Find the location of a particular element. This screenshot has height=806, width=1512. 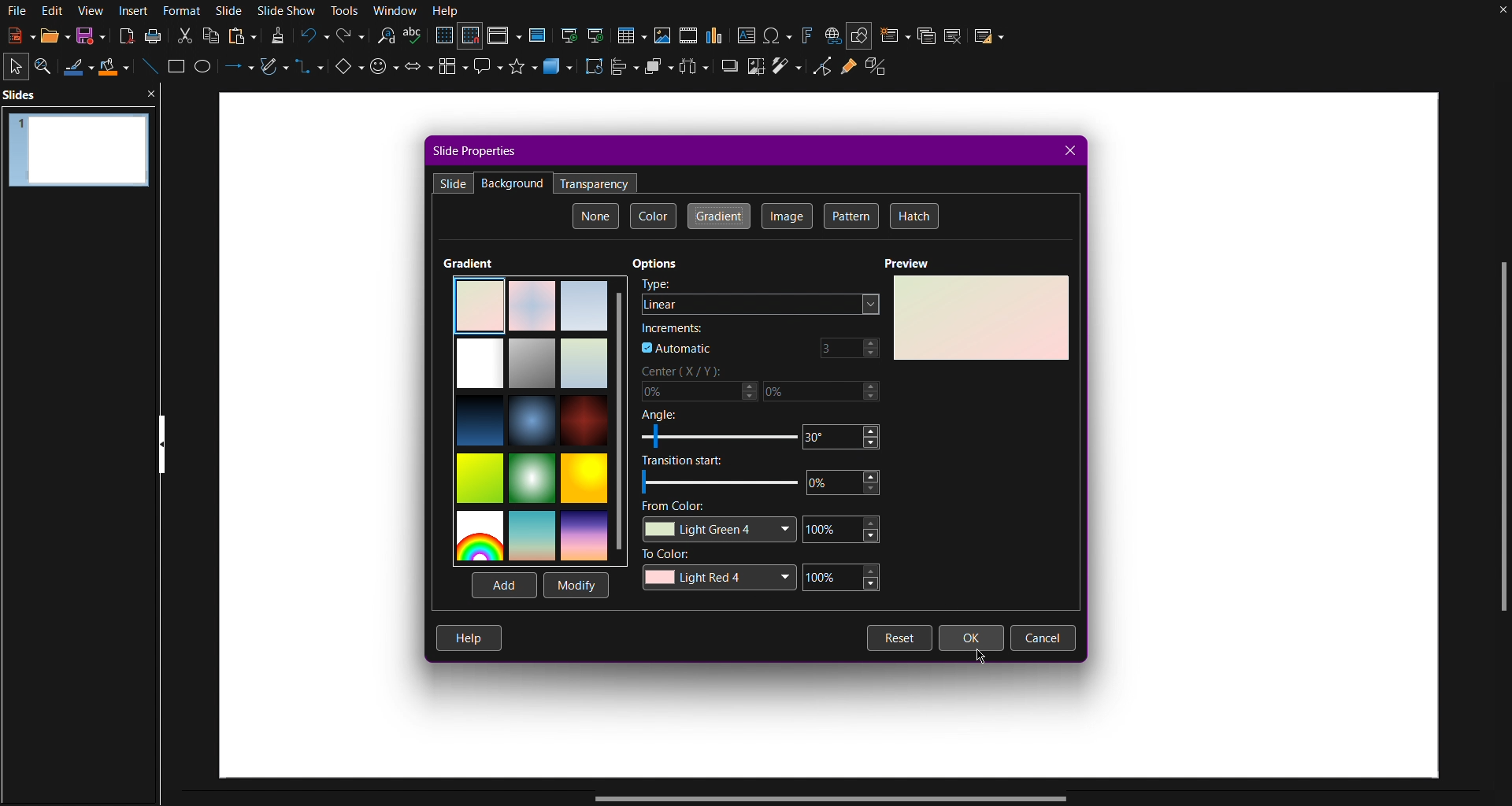

Transformation is located at coordinates (595, 71).